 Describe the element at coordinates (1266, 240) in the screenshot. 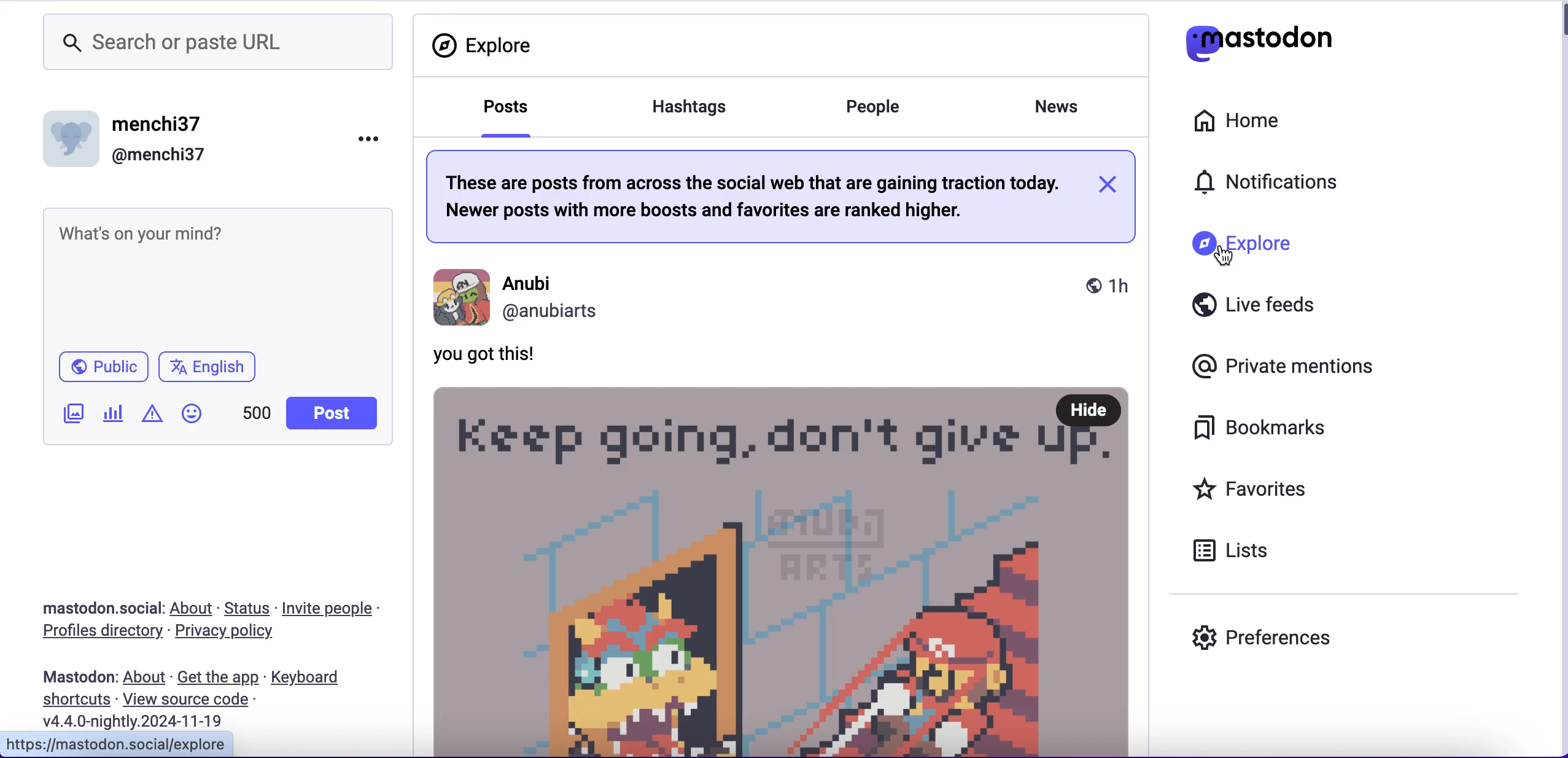

I see `explore` at that location.